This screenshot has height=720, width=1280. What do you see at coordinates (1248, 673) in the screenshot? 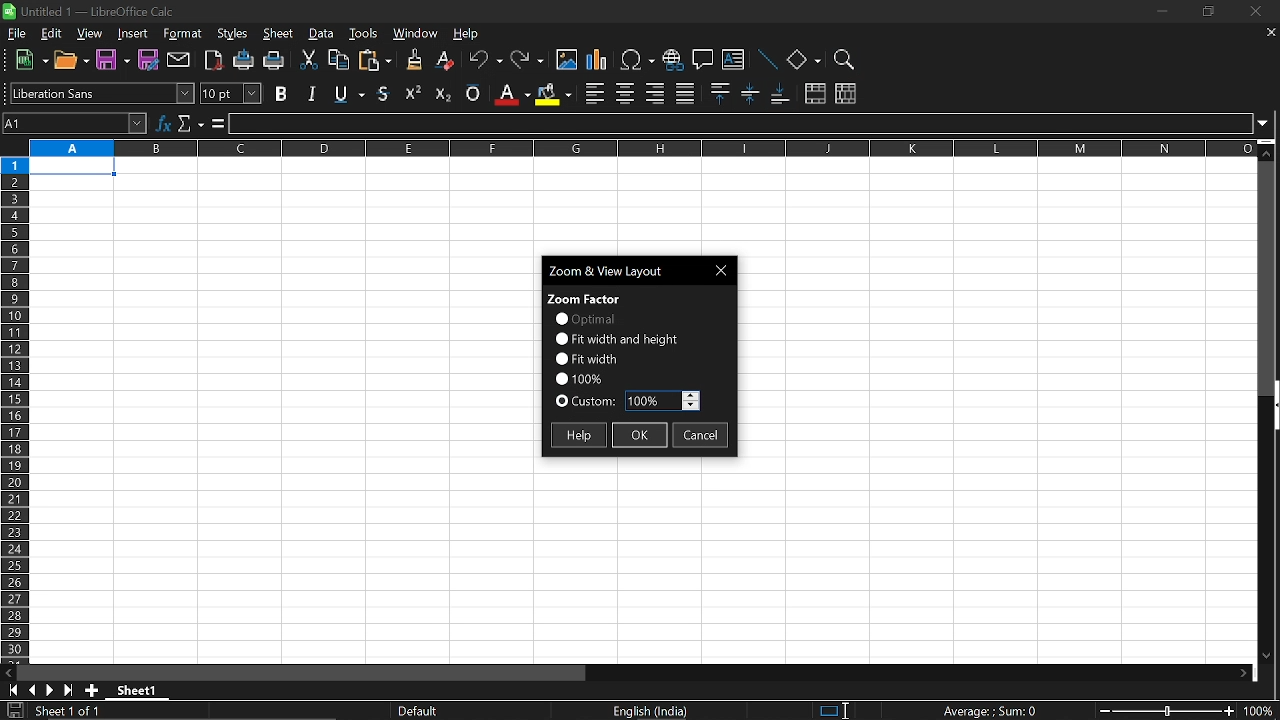
I see `move right` at bounding box center [1248, 673].